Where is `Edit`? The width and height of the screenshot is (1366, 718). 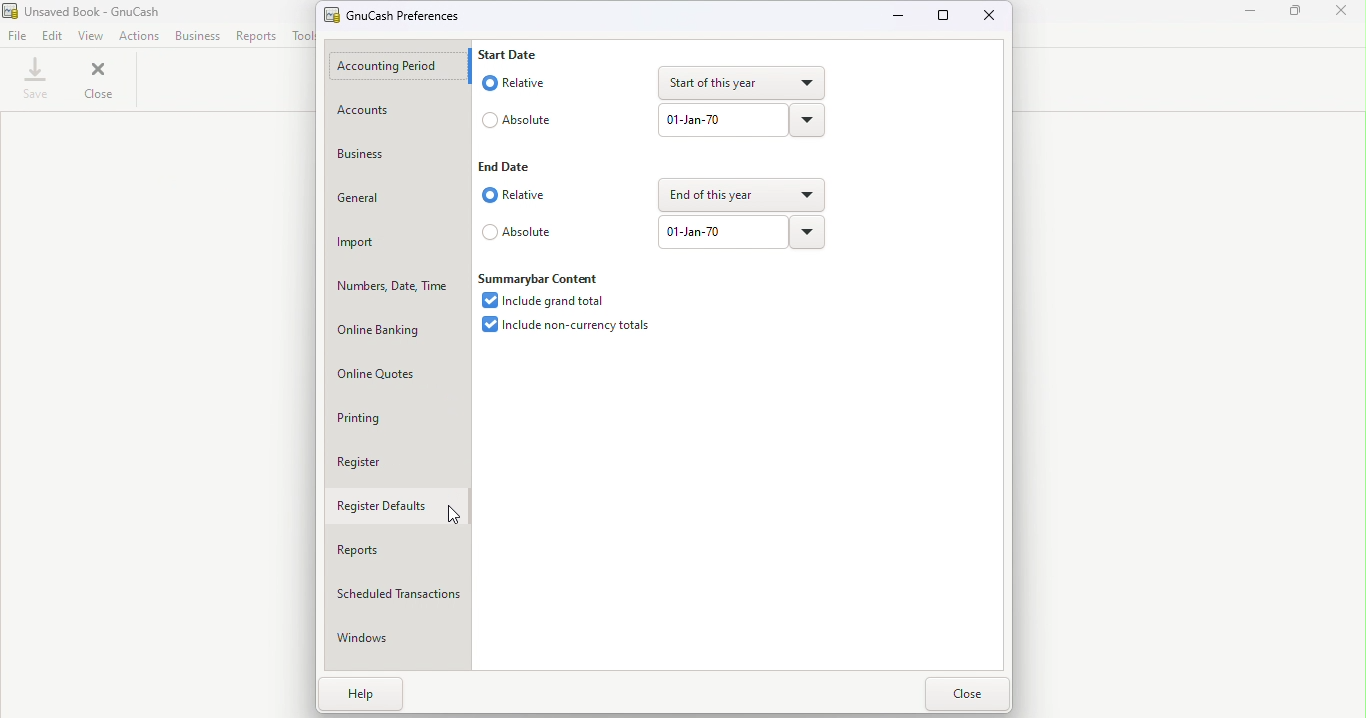
Edit is located at coordinates (56, 38).